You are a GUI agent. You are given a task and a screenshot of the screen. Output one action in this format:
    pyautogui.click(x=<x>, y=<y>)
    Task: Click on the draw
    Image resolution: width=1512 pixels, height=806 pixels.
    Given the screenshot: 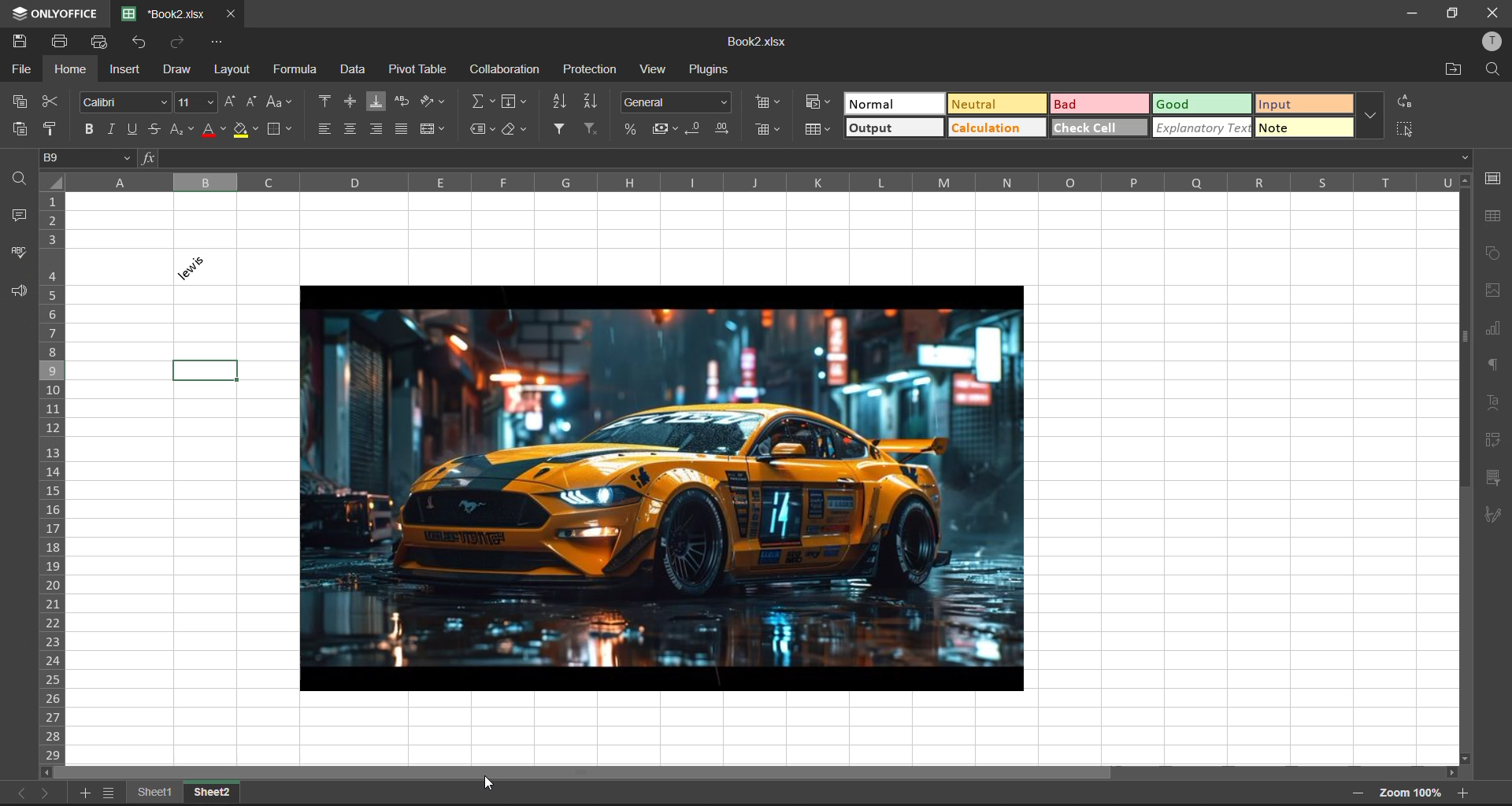 What is the action you would take?
    pyautogui.click(x=176, y=68)
    